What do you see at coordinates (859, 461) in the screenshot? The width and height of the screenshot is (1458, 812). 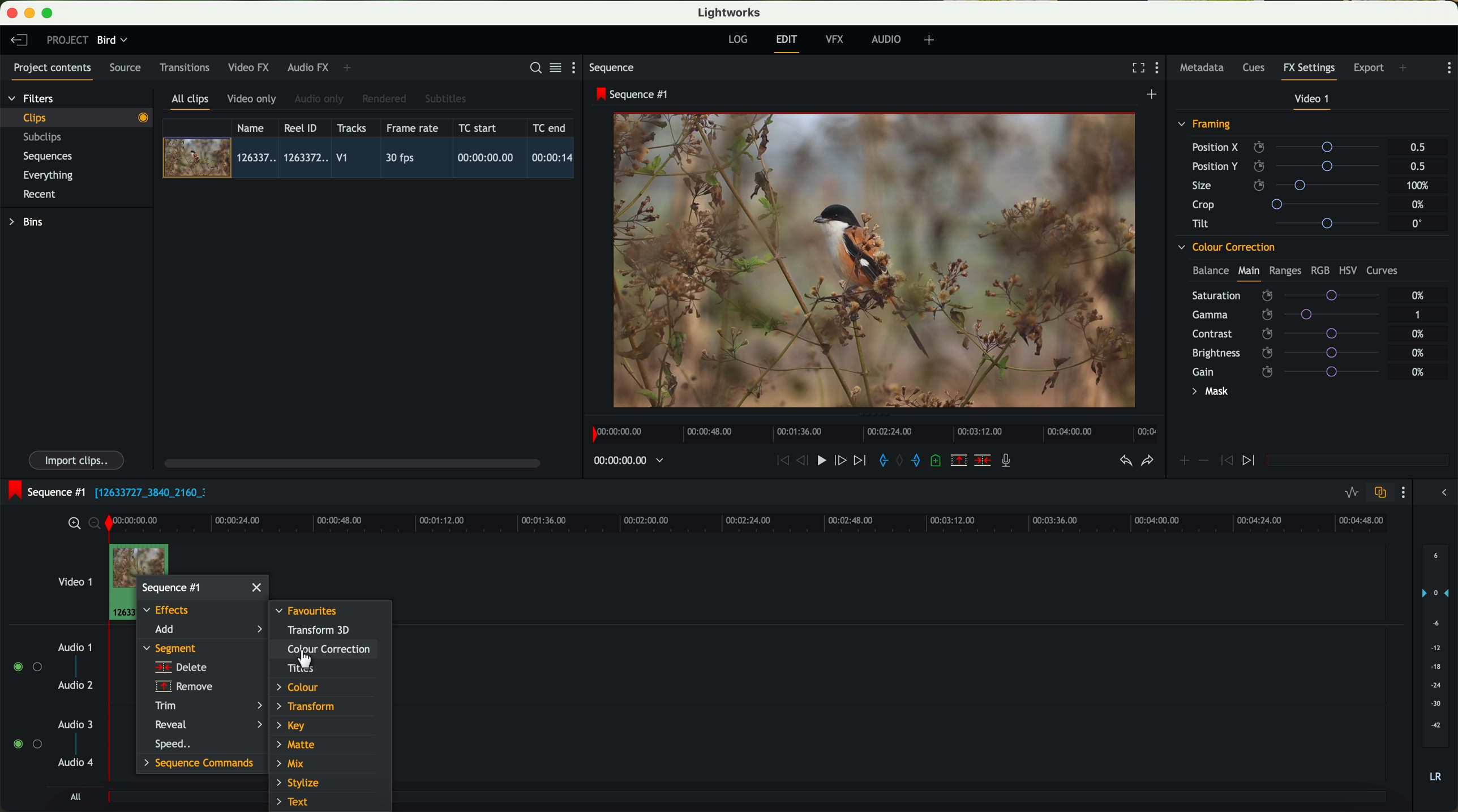 I see `move foward` at bounding box center [859, 461].